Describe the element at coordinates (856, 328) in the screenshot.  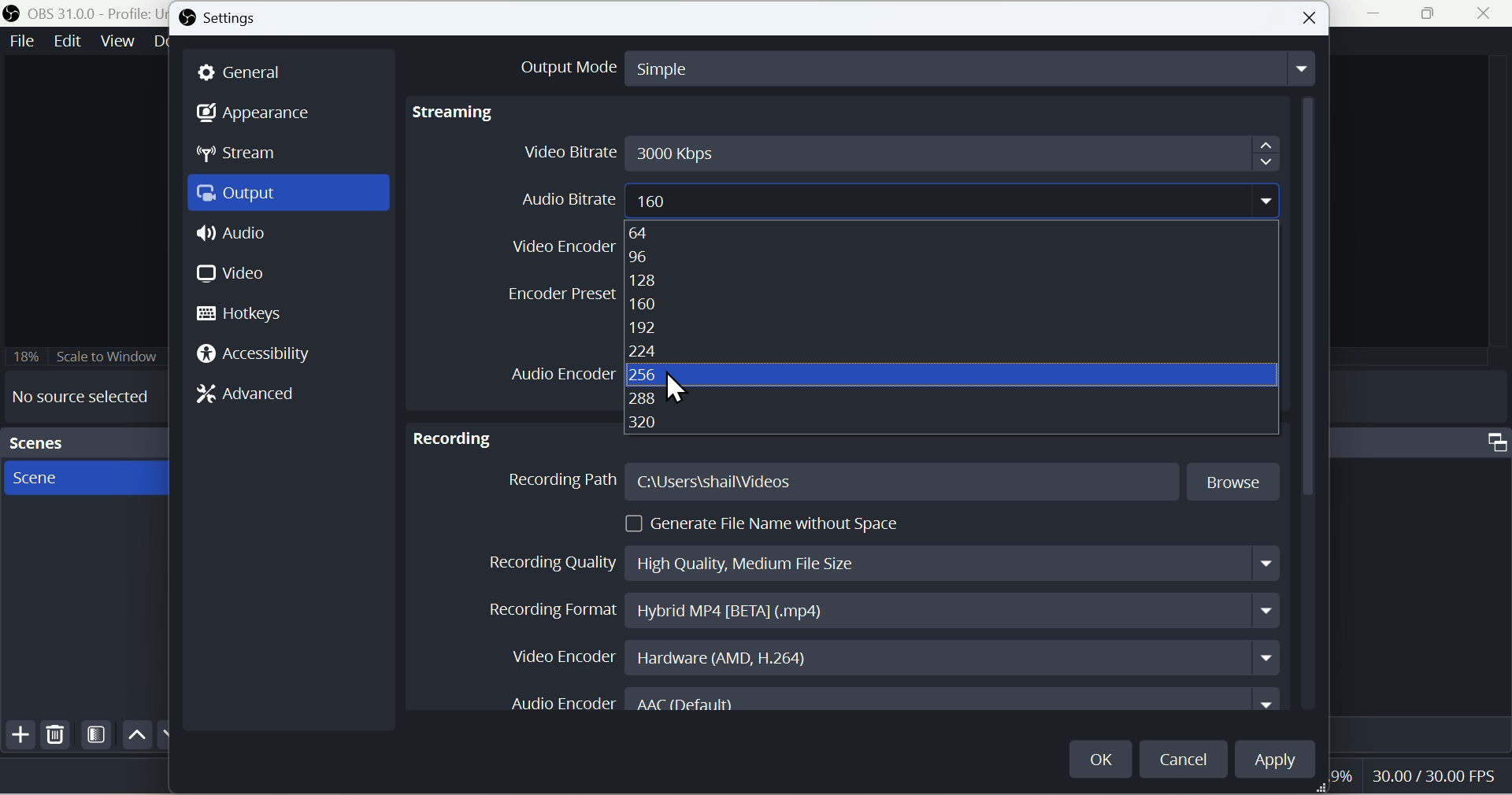
I see `Audio bitrate` at that location.